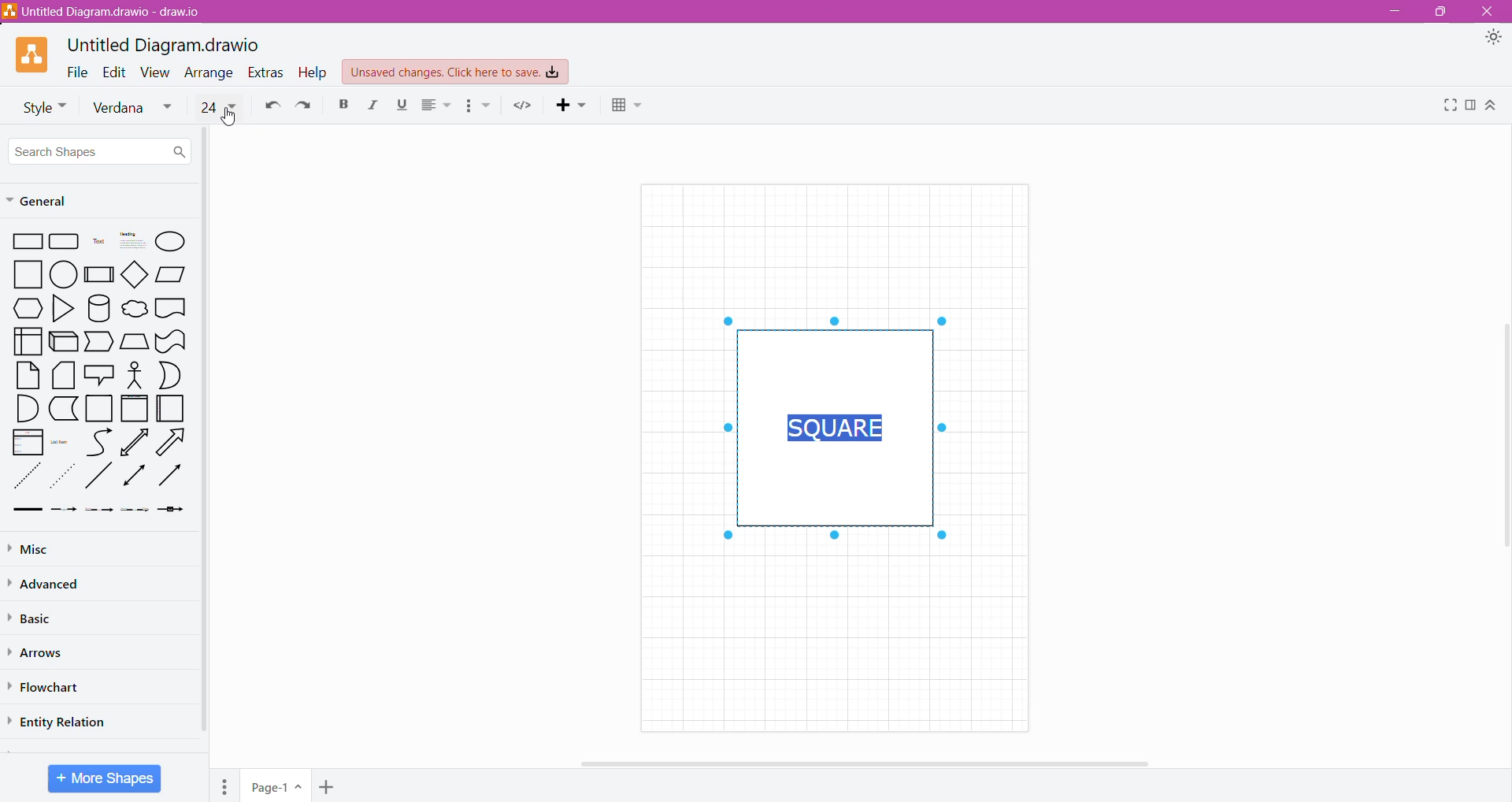 The image size is (1512, 802). I want to click on Stacked Papers, so click(63, 376).